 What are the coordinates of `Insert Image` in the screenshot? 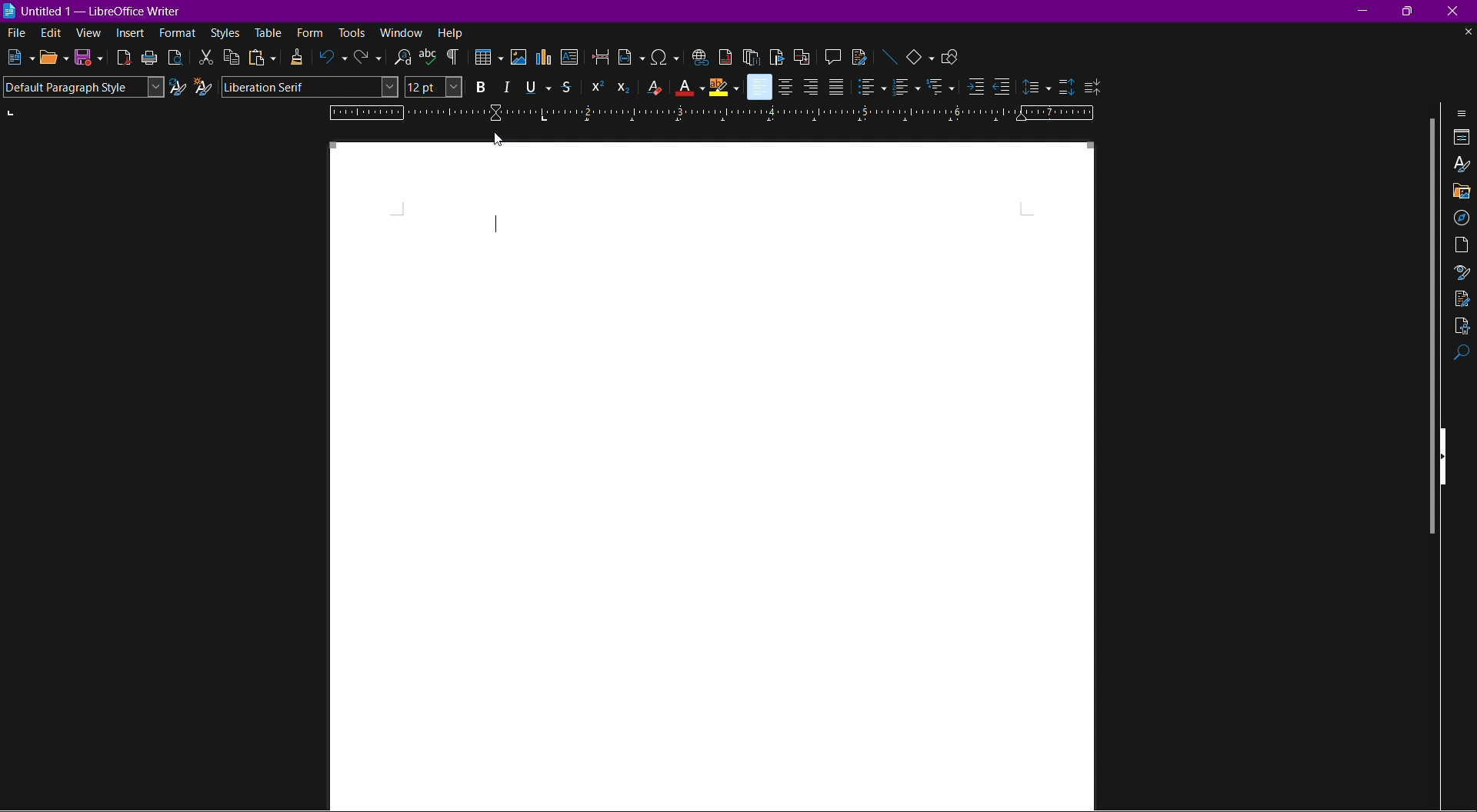 It's located at (519, 58).